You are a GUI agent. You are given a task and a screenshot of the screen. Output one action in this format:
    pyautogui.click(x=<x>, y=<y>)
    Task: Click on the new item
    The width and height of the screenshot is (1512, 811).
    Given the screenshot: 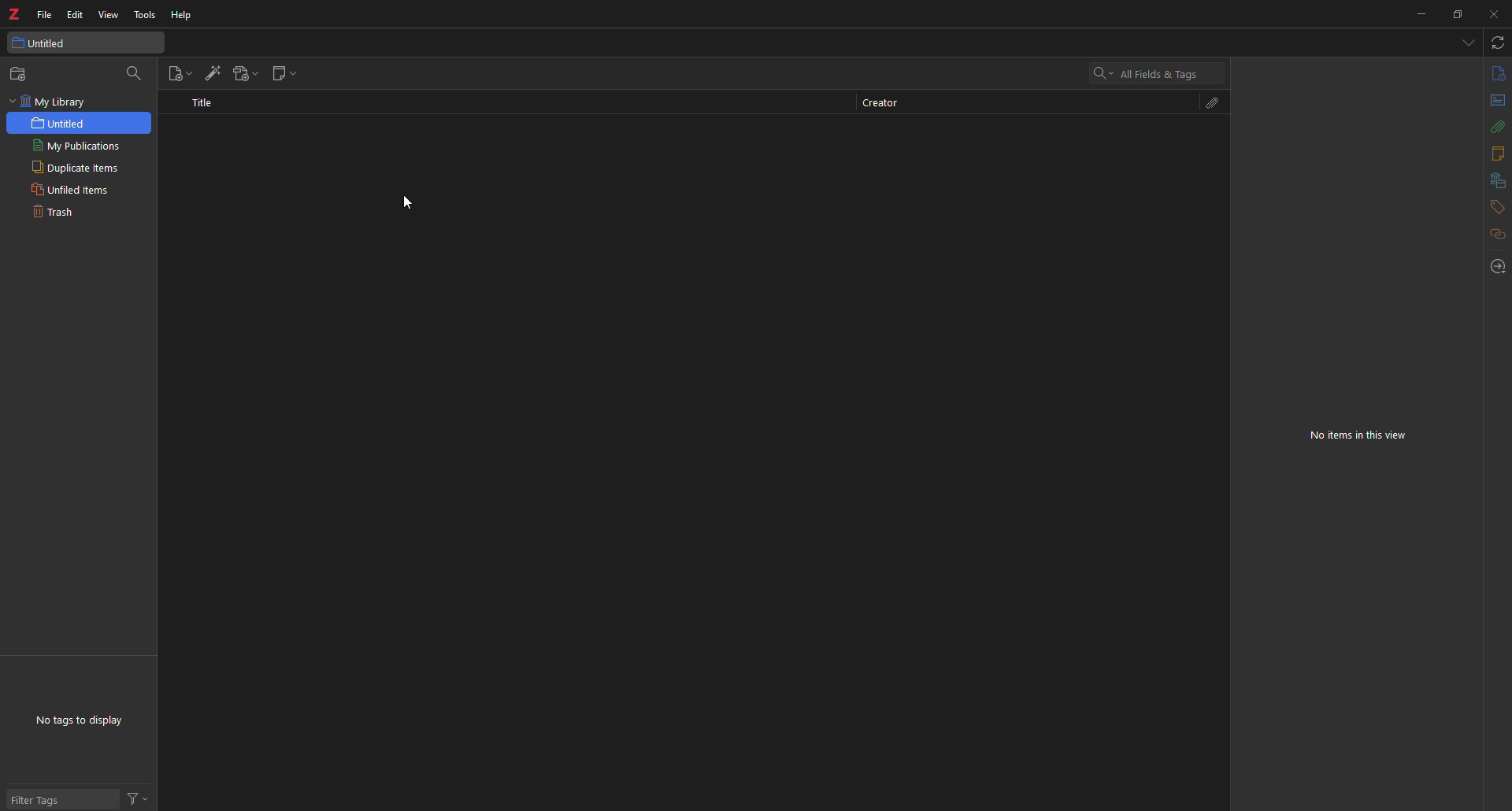 What is the action you would take?
    pyautogui.click(x=177, y=74)
    